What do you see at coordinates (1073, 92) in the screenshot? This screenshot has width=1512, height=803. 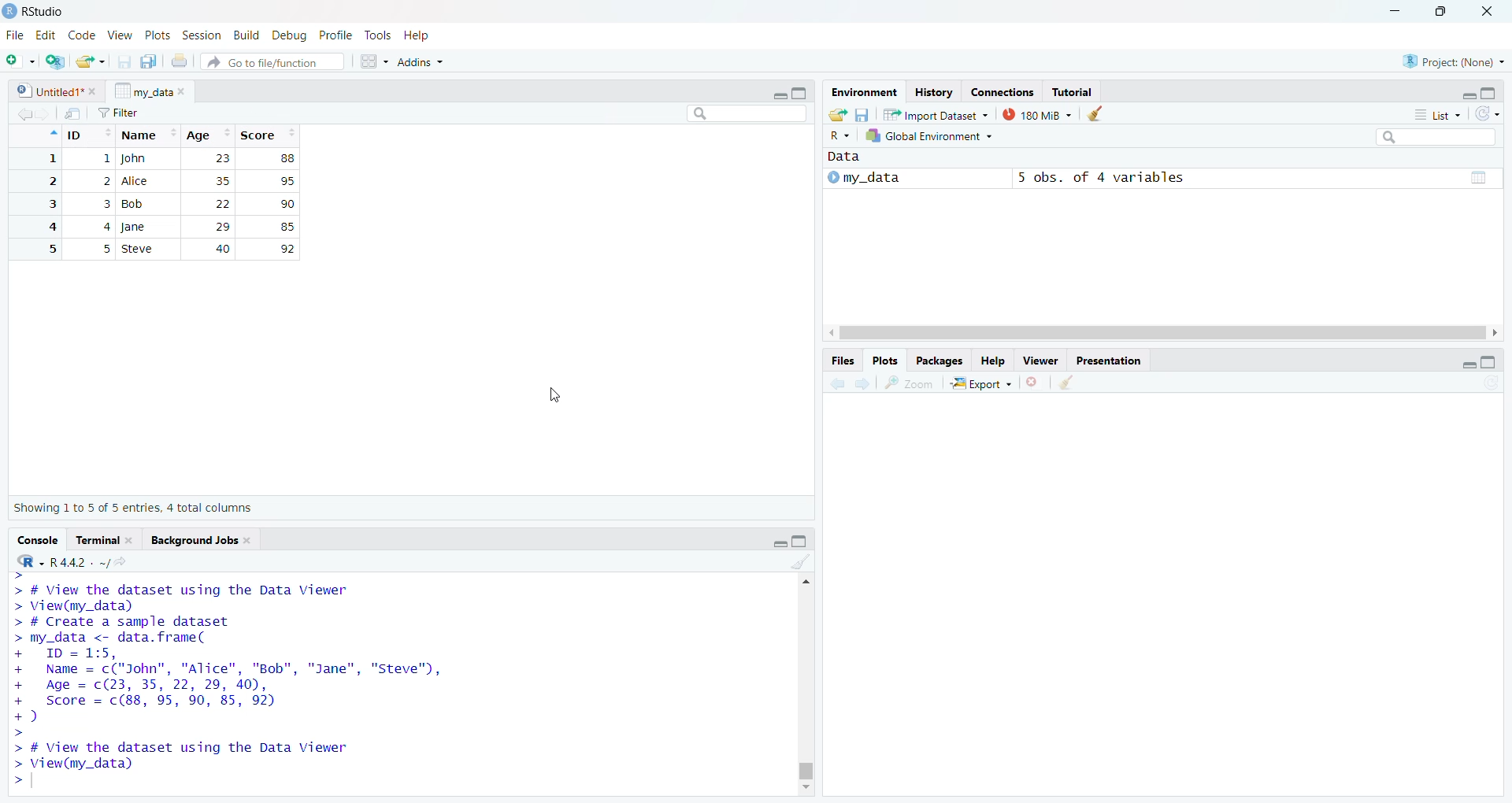 I see `Tutorial` at bounding box center [1073, 92].